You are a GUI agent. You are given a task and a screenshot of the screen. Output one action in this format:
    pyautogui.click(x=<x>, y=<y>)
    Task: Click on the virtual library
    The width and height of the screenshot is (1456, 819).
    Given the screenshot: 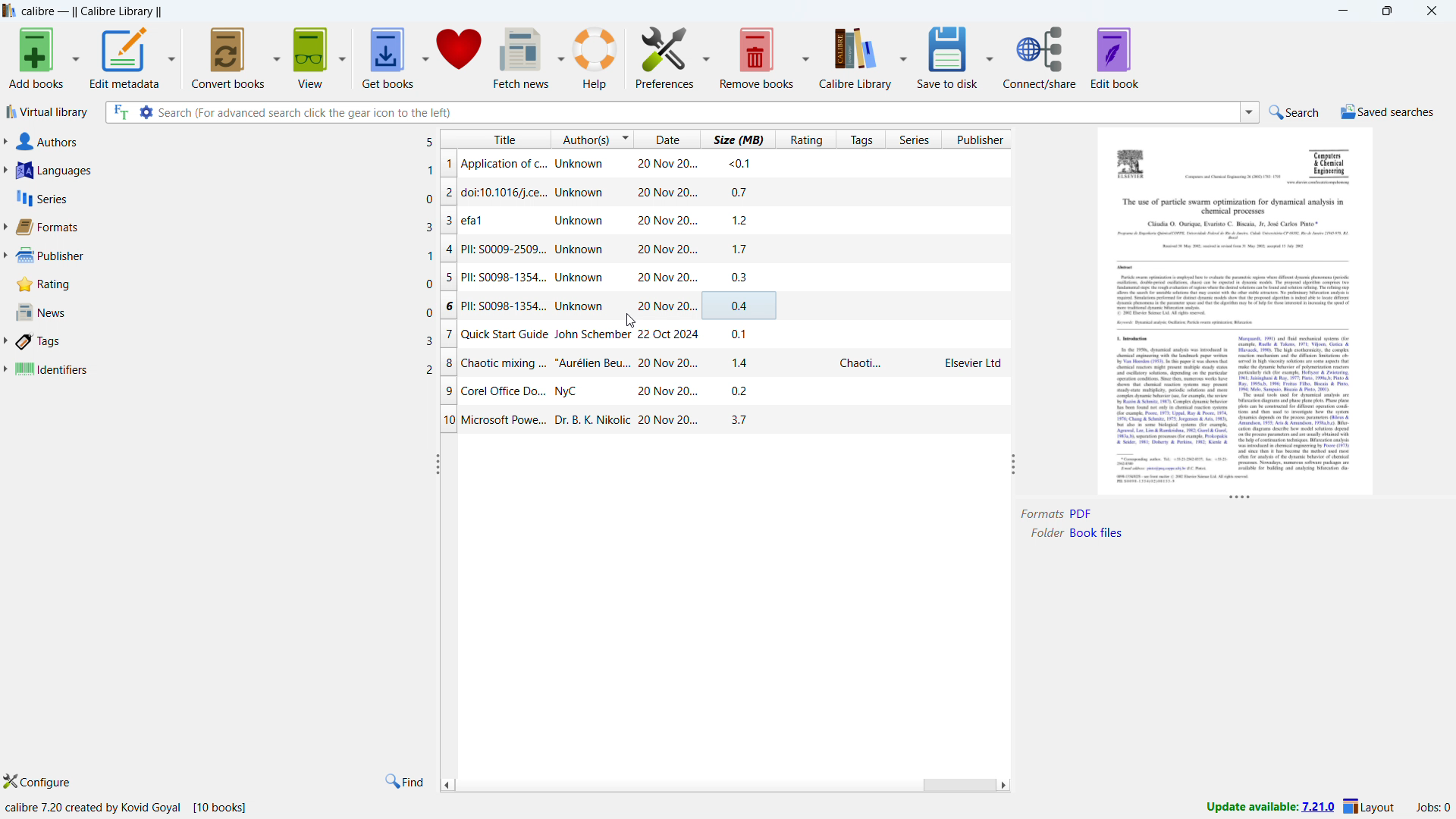 What is the action you would take?
    pyautogui.click(x=48, y=111)
    